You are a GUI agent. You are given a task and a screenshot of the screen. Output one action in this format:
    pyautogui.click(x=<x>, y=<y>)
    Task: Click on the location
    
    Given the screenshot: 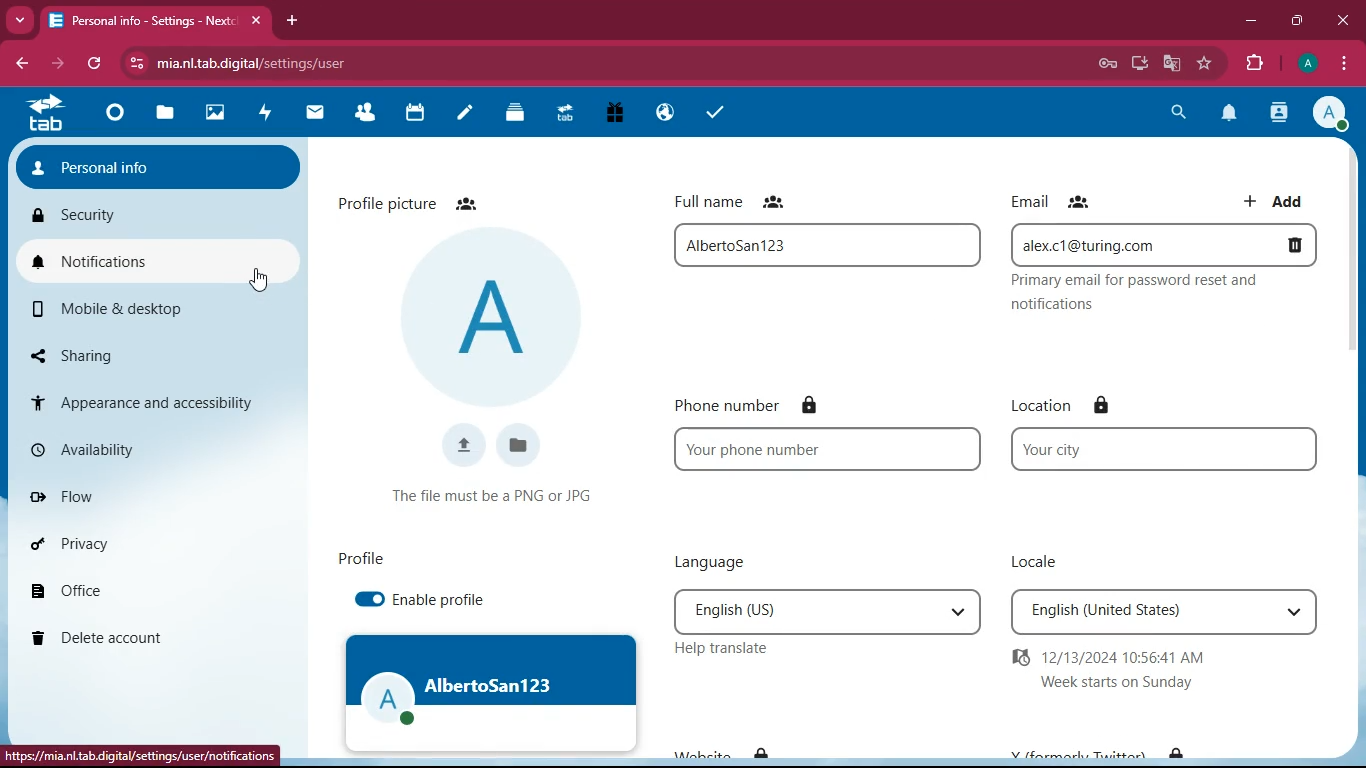 What is the action you would take?
    pyautogui.click(x=1043, y=407)
    